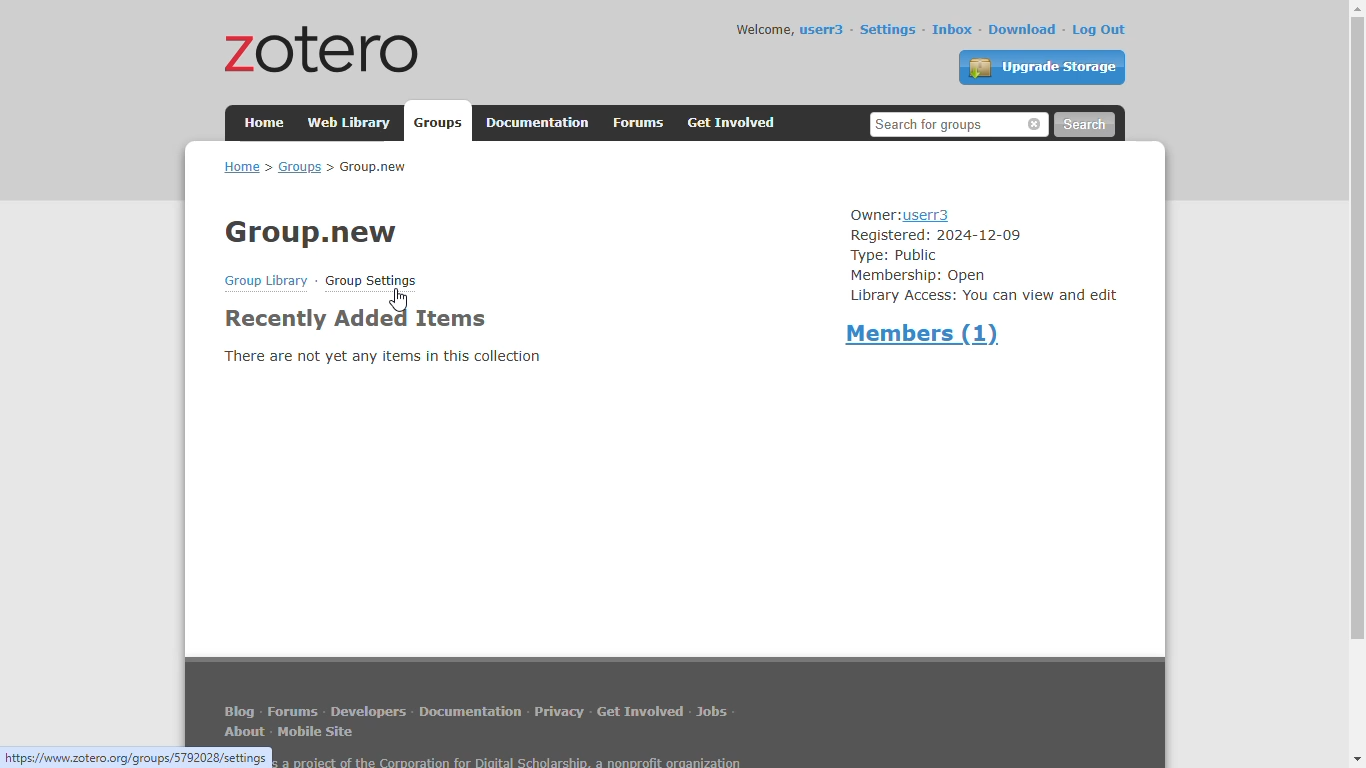 The width and height of the screenshot is (1366, 768). Describe the element at coordinates (240, 710) in the screenshot. I see `blog` at that location.